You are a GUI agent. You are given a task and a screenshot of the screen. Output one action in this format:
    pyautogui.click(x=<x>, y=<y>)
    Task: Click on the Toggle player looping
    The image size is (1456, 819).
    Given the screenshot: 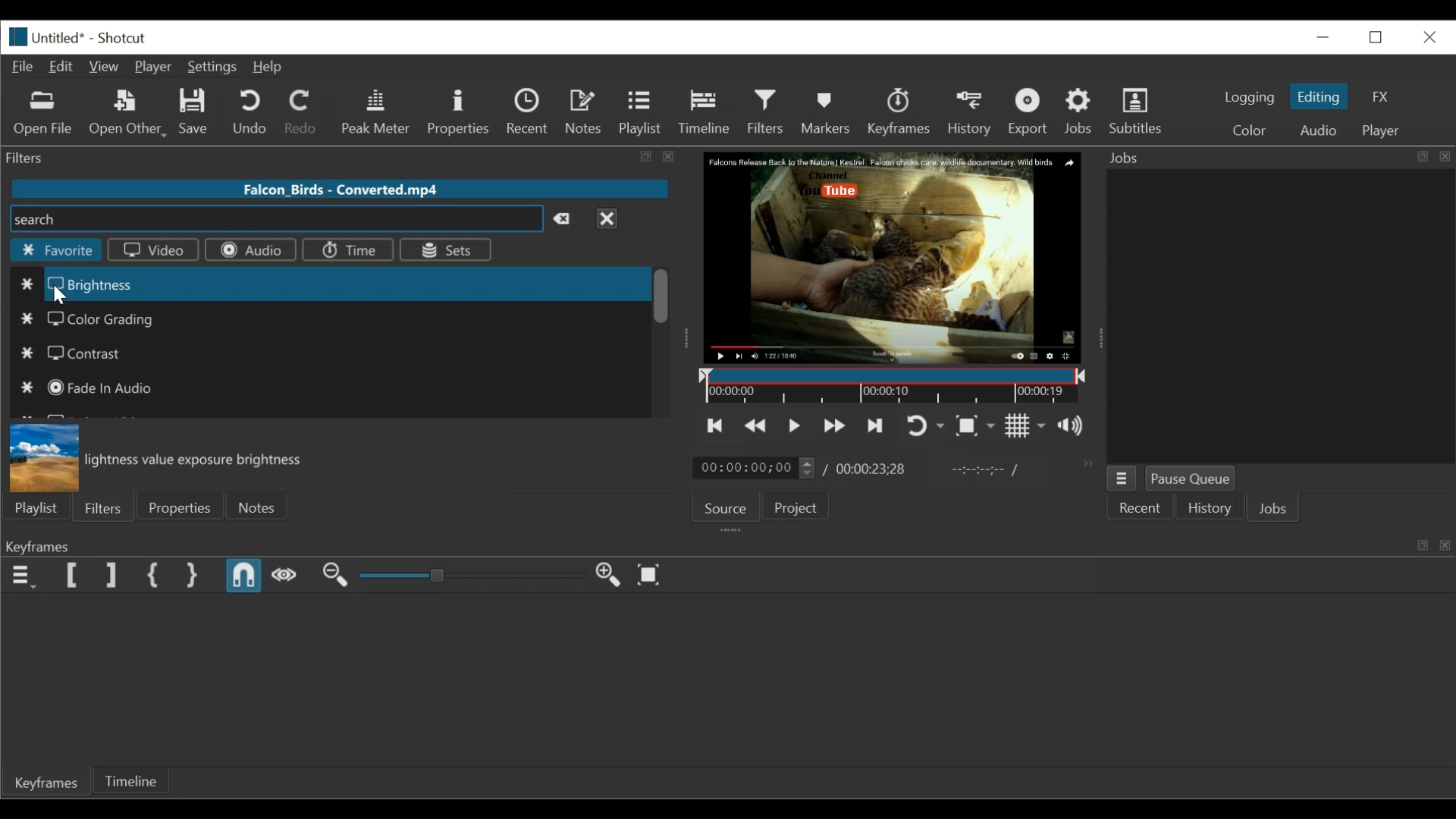 What is the action you would take?
    pyautogui.click(x=923, y=427)
    